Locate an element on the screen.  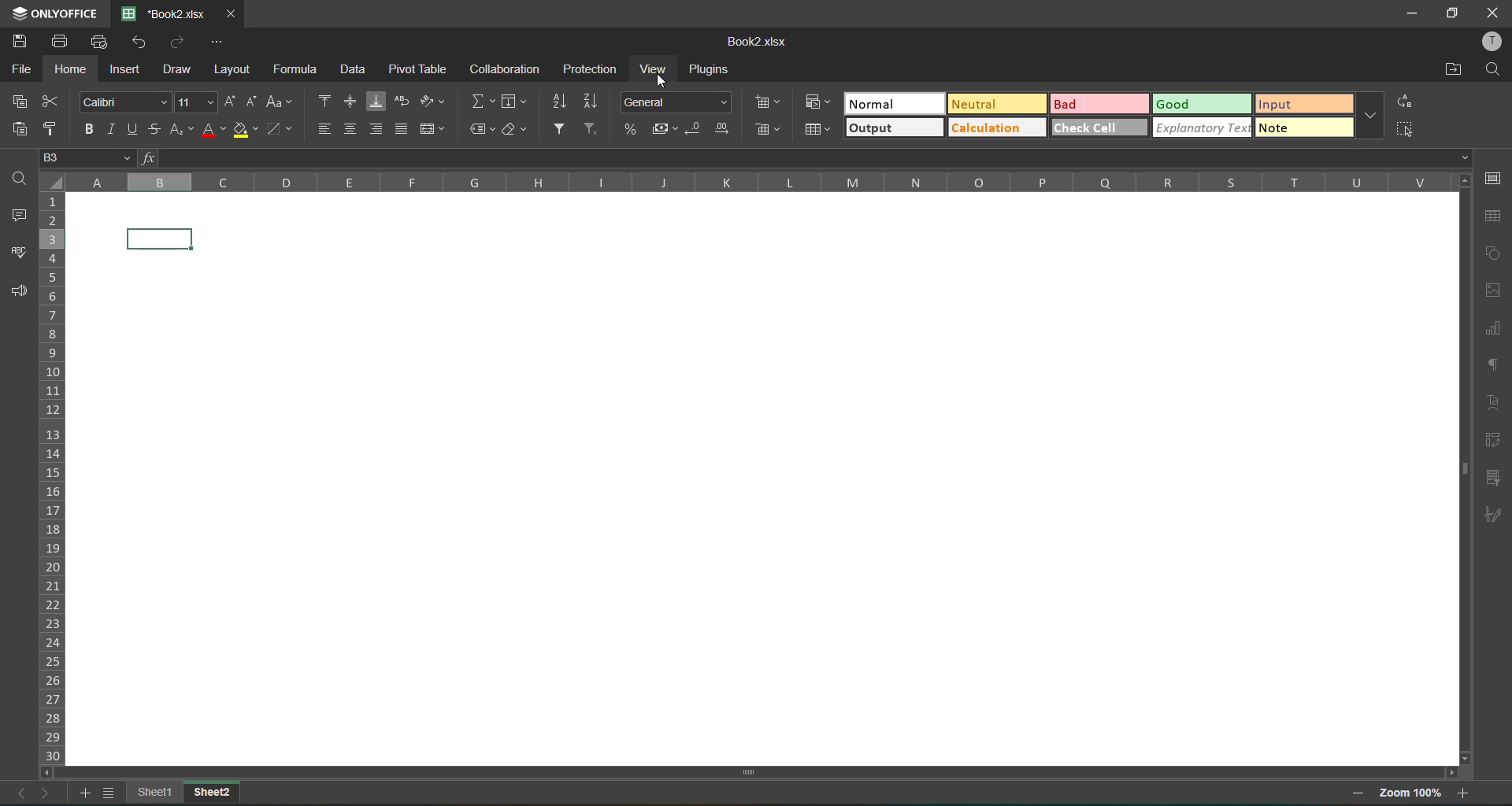
charts is located at coordinates (1492, 331).